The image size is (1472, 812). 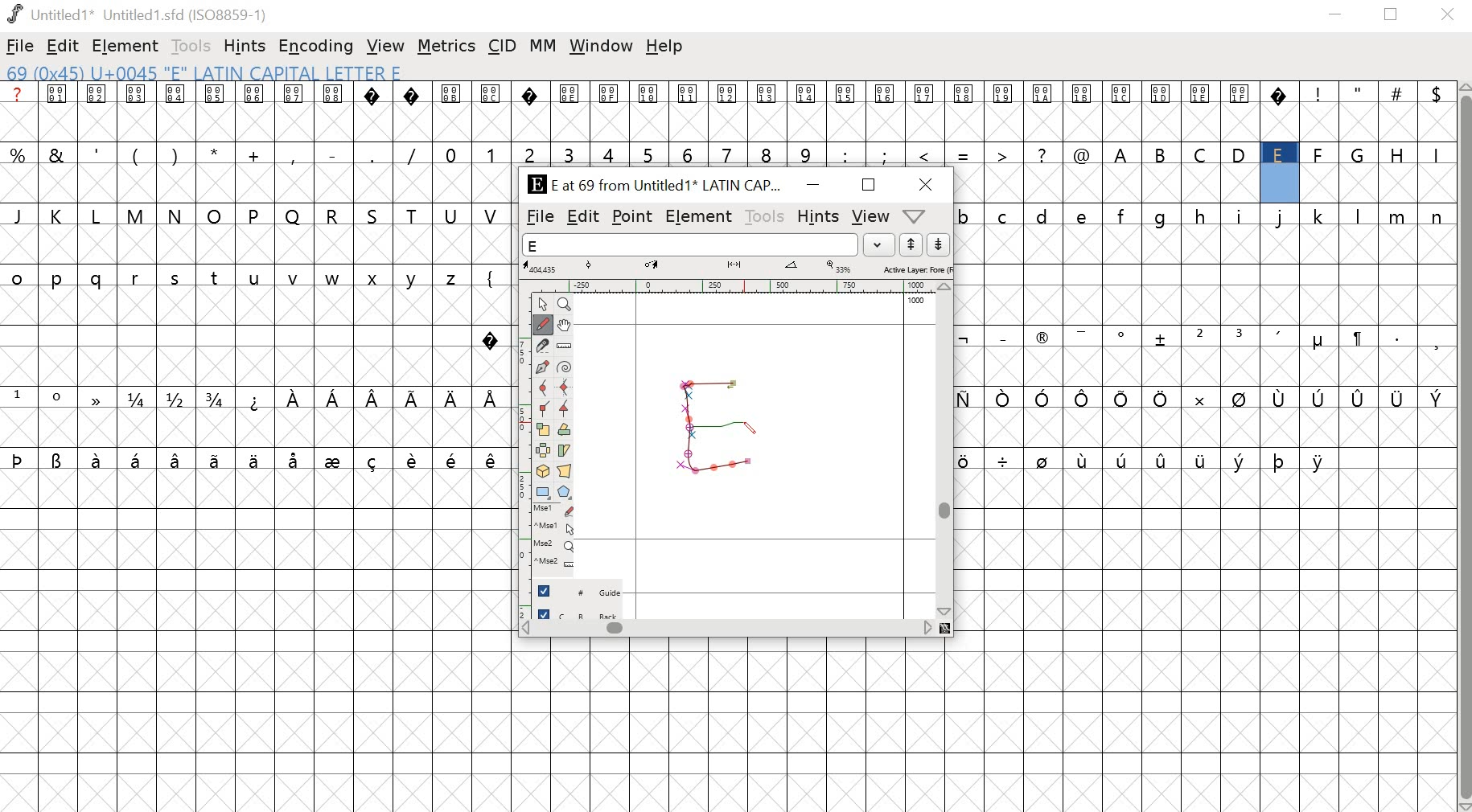 What do you see at coordinates (1336, 17) in the screenshot?
I see `minimize` at bounding box center [1336, 17].